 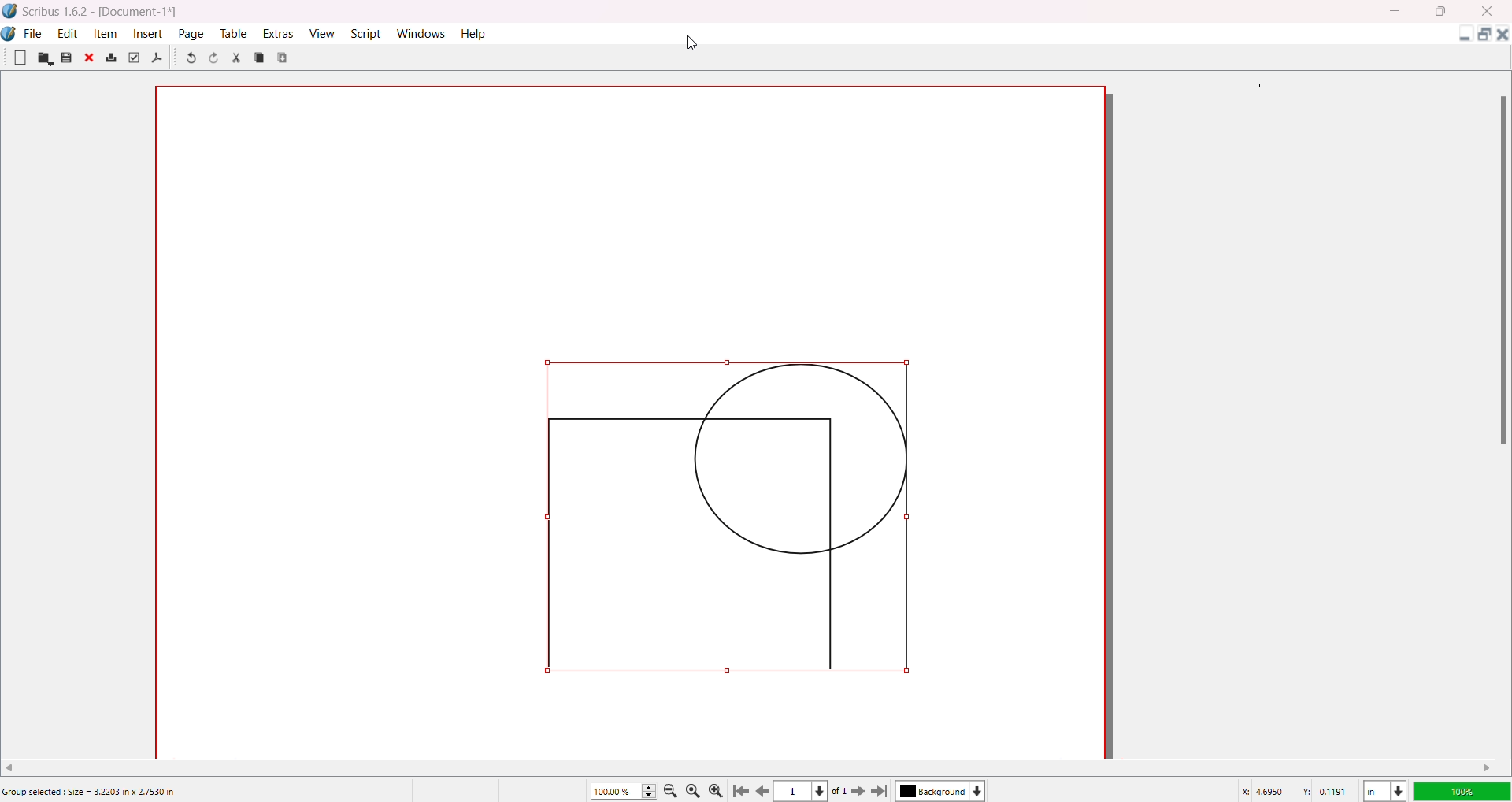 I want to click on Unit, so click(x=1384, y=789).